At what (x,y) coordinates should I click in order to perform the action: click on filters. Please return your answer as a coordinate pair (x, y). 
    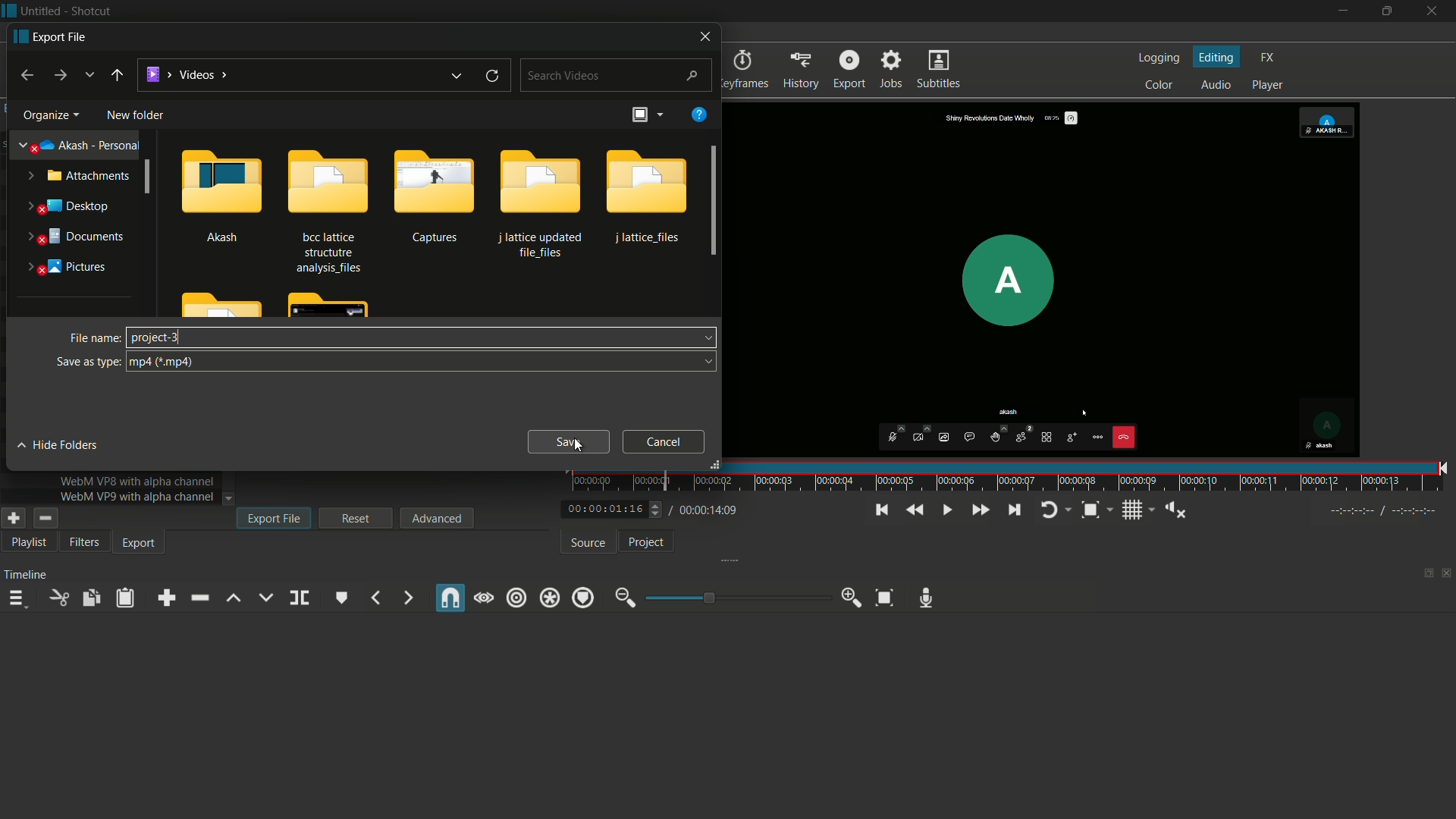
    Looking at the image, I should click on (84, 541).